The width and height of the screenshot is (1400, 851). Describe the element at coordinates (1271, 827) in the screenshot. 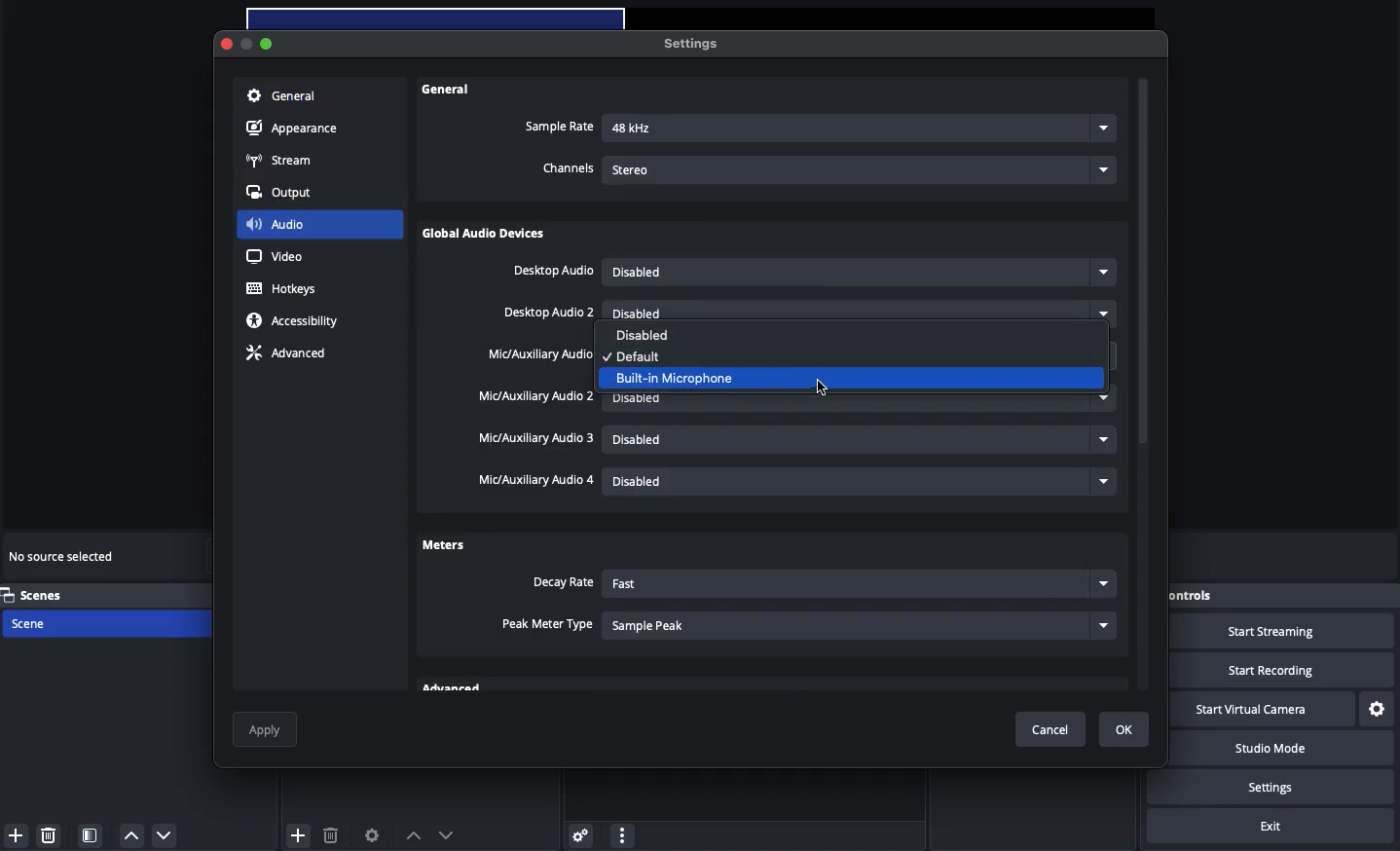

I see `Exit` at that location.